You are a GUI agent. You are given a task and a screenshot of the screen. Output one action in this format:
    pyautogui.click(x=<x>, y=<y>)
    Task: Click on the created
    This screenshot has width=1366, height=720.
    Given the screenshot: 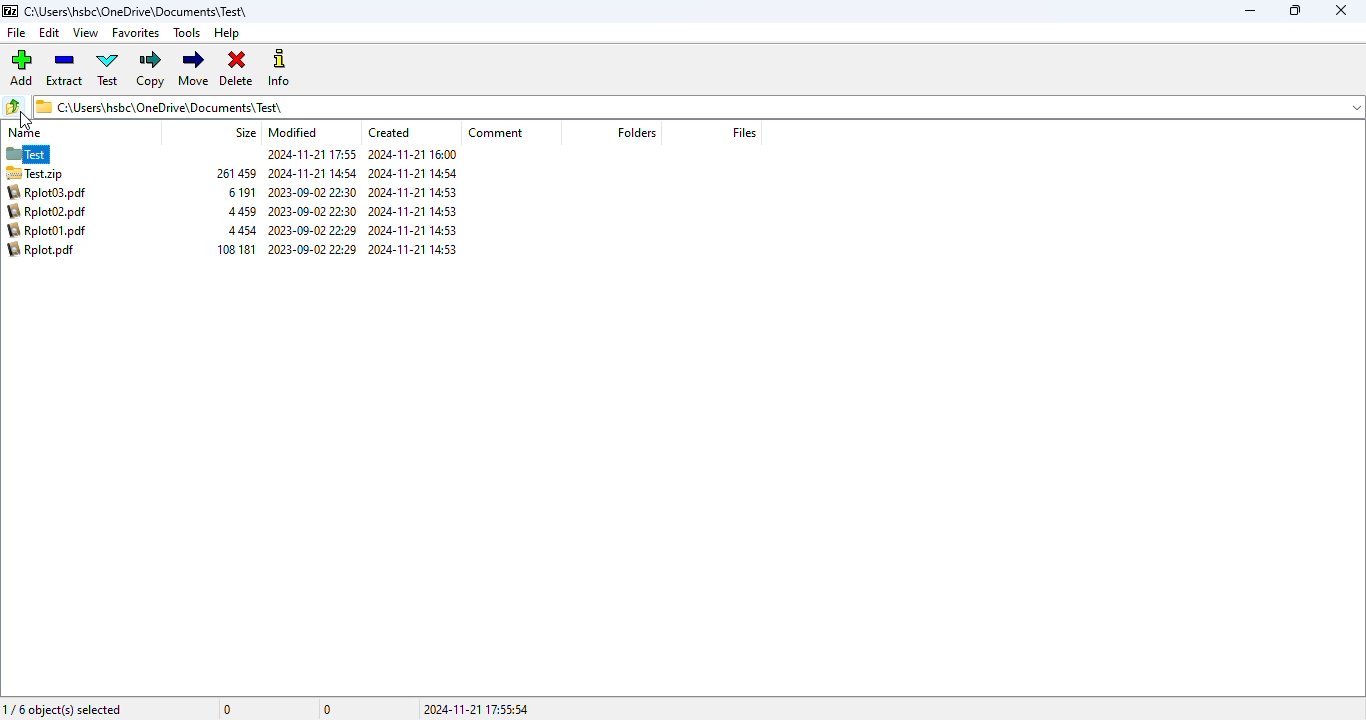 What is the action you would take?
    pyautogui.click(x=388, y=133)
    